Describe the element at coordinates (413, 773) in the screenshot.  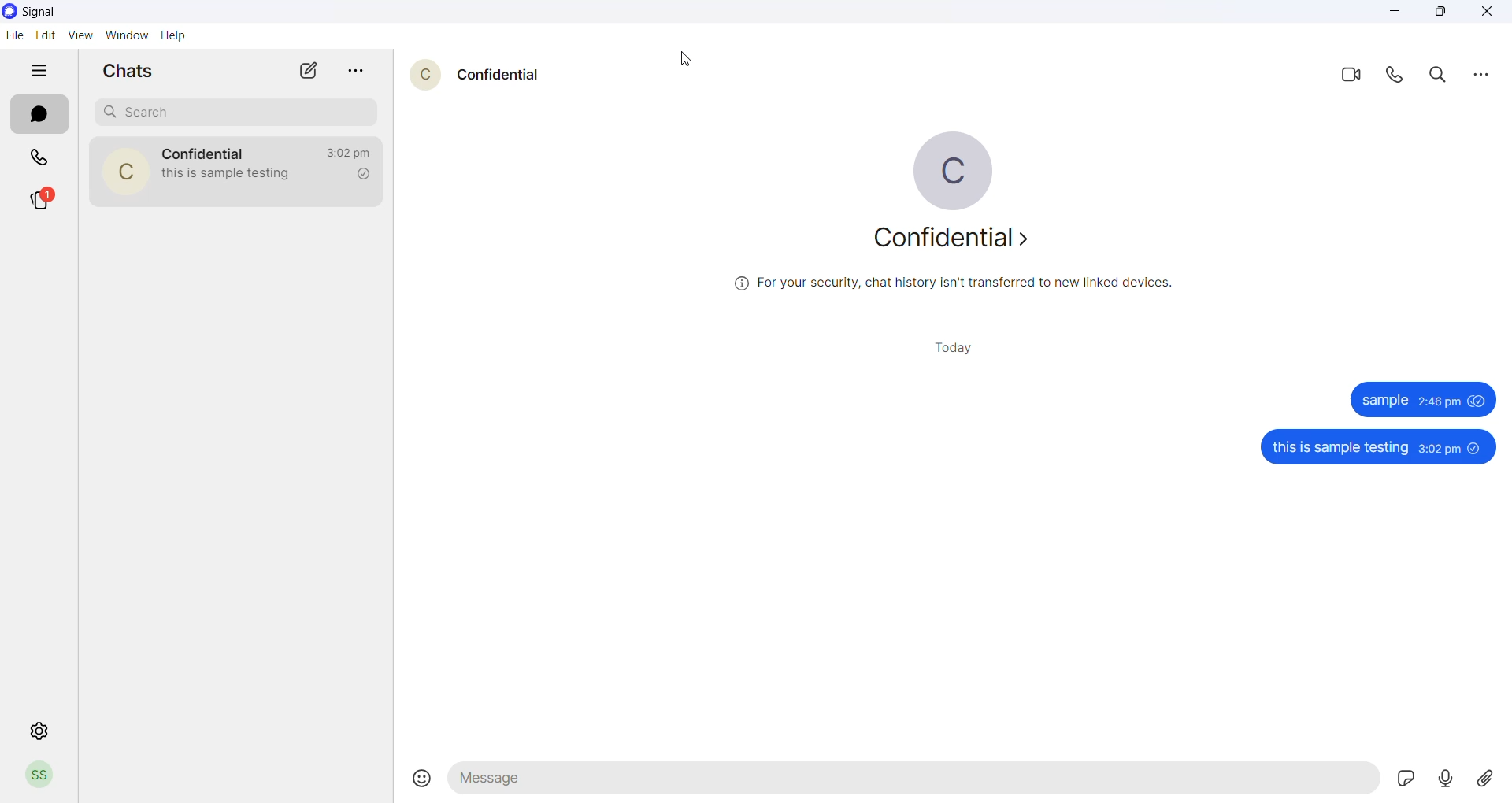
I see `emojis` at that location.